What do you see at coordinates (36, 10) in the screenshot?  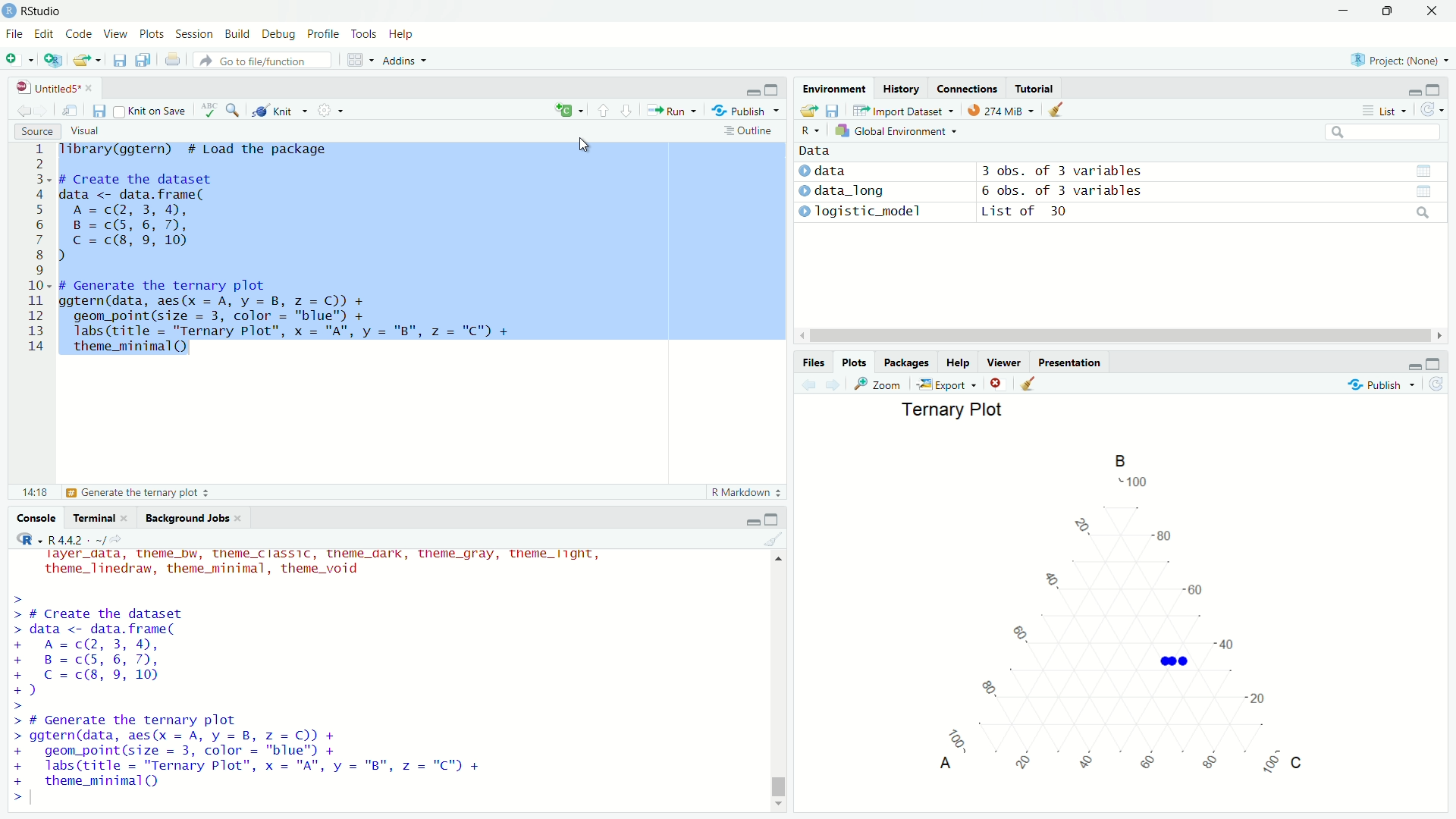 I see `RStudio` at bounding box center [36, 10].